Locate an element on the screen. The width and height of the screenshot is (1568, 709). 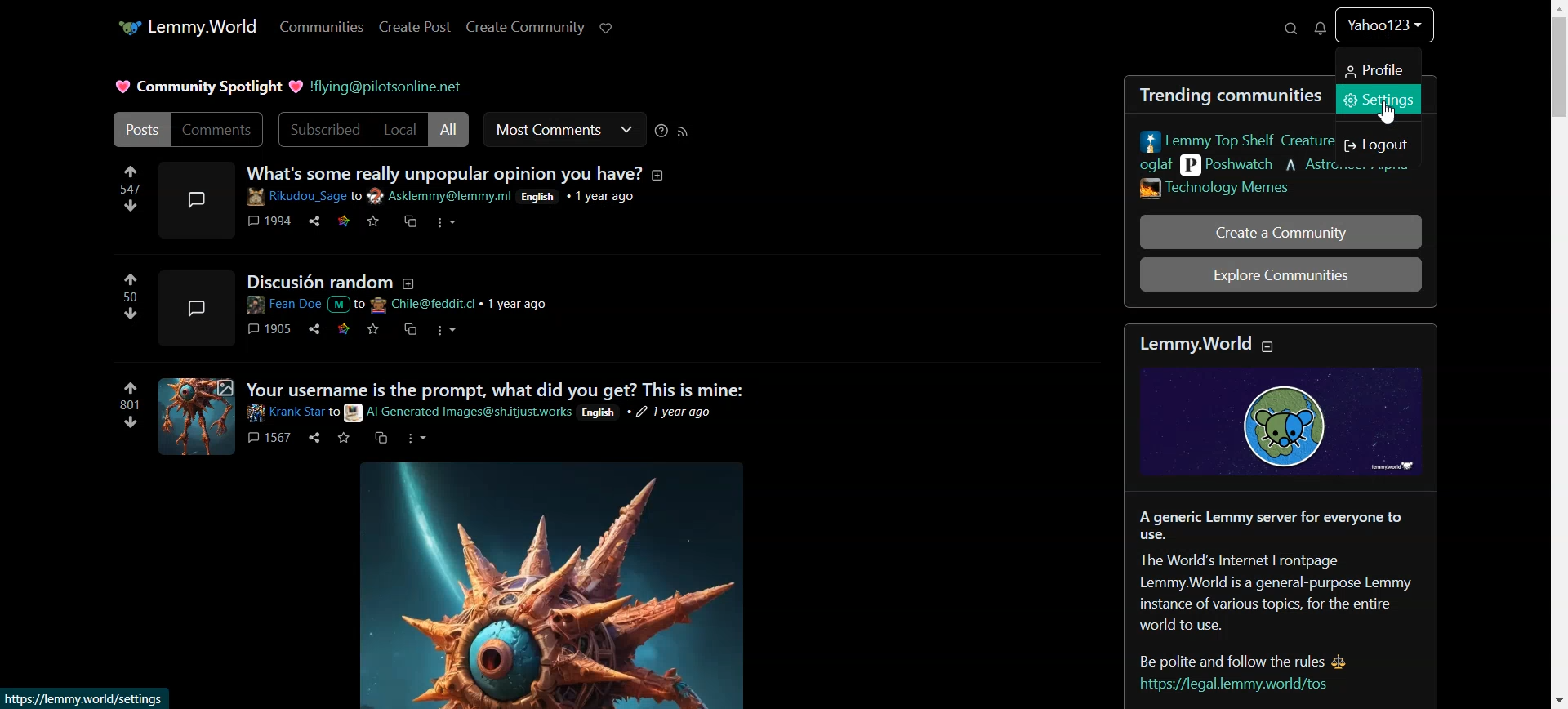
Profile is located at coordinates (1379, 69).